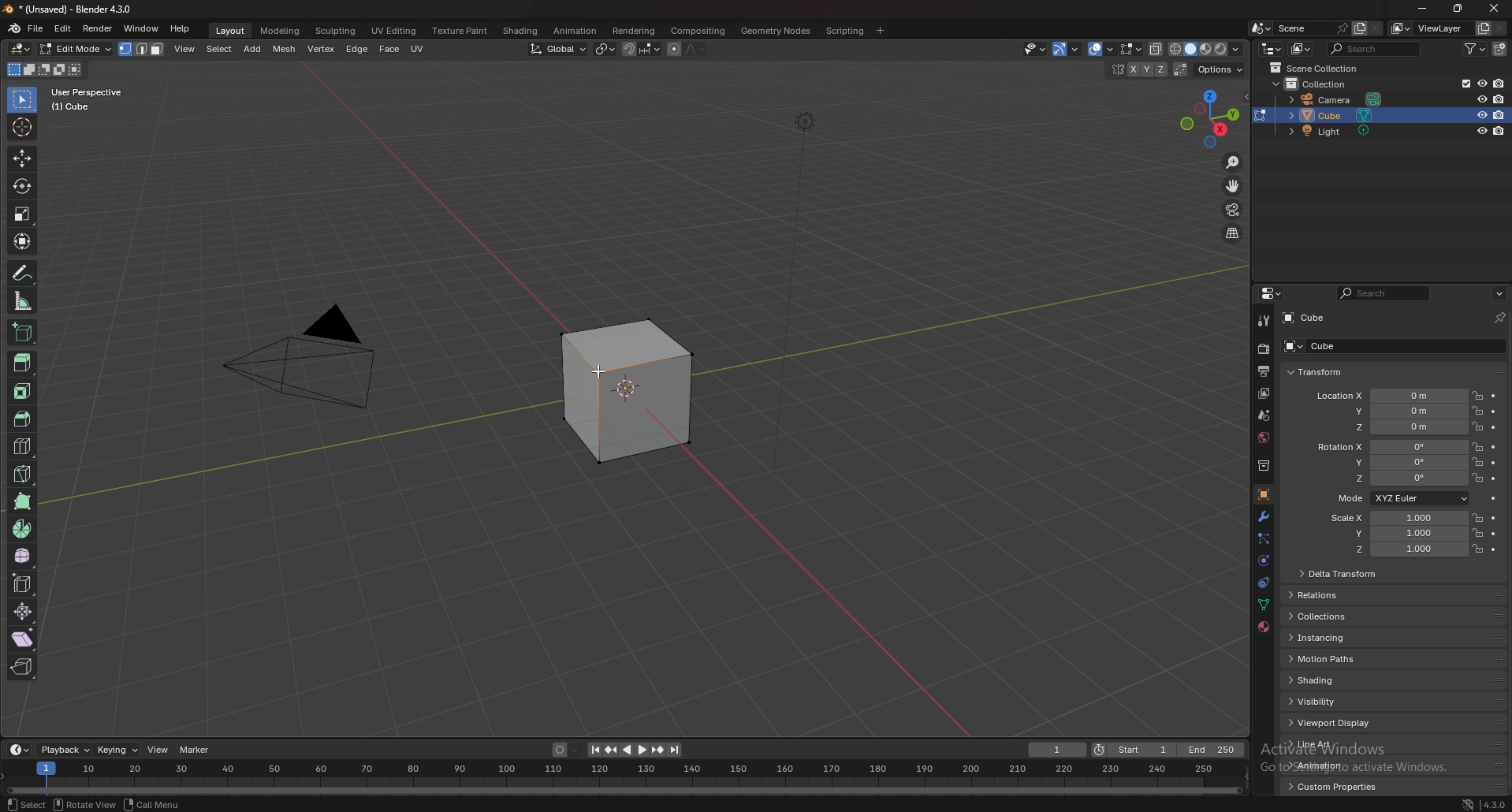 This screenshot has width=1512, height=812. I want to click on animate property, so click(1494, 498).